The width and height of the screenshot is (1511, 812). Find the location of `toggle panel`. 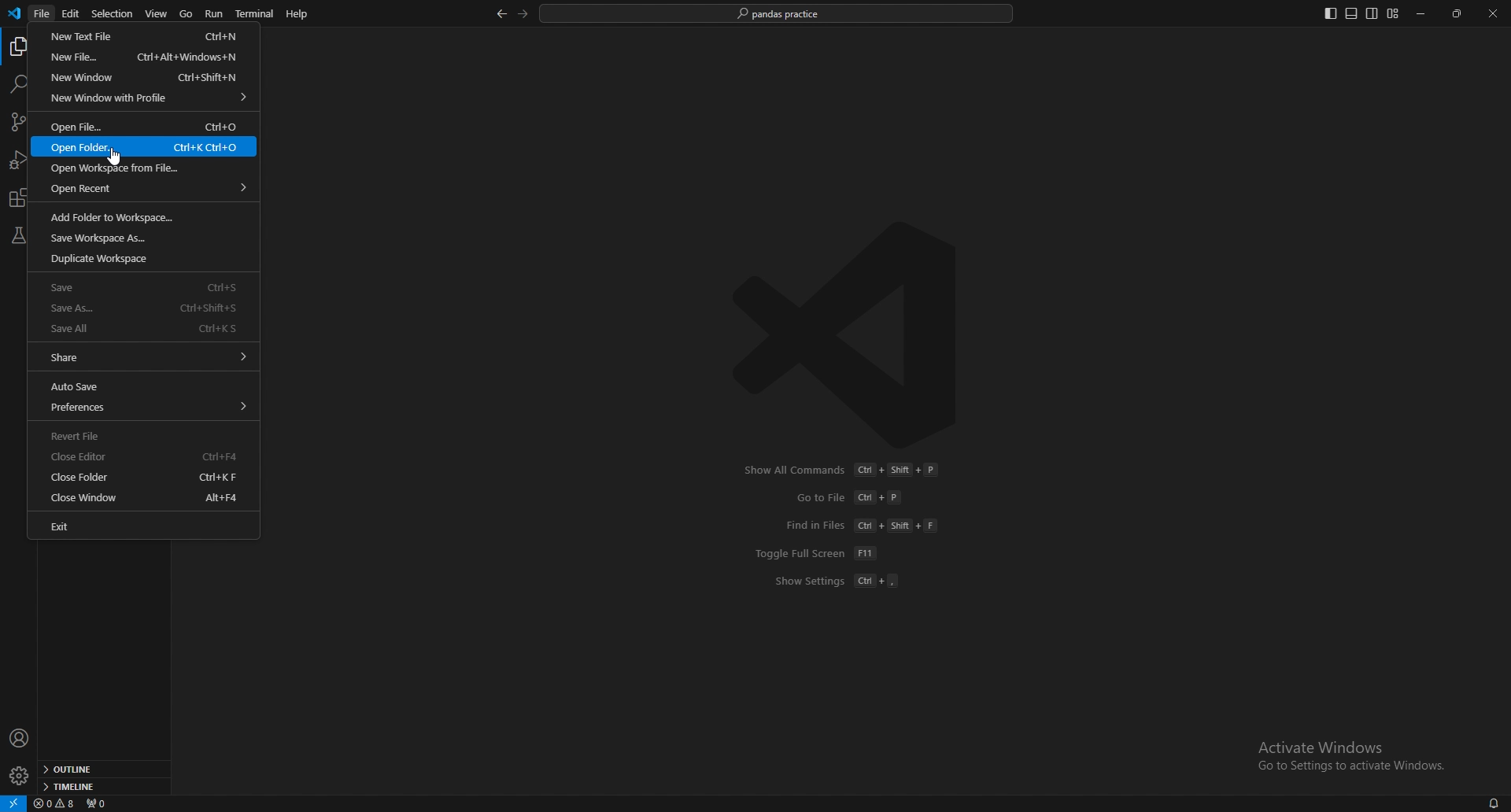

toggle panel is located at coordinates (1351, 14).